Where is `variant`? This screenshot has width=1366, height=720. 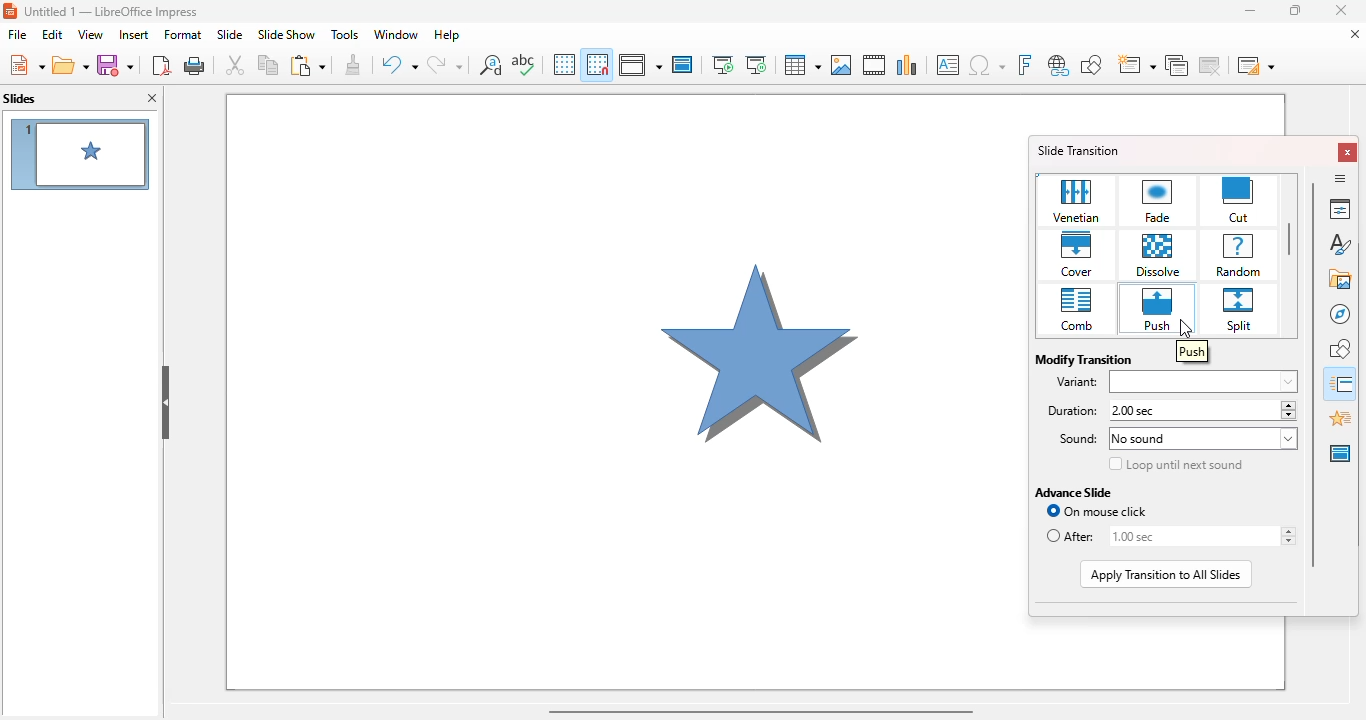 variant is located at coordinates (1205, 383).